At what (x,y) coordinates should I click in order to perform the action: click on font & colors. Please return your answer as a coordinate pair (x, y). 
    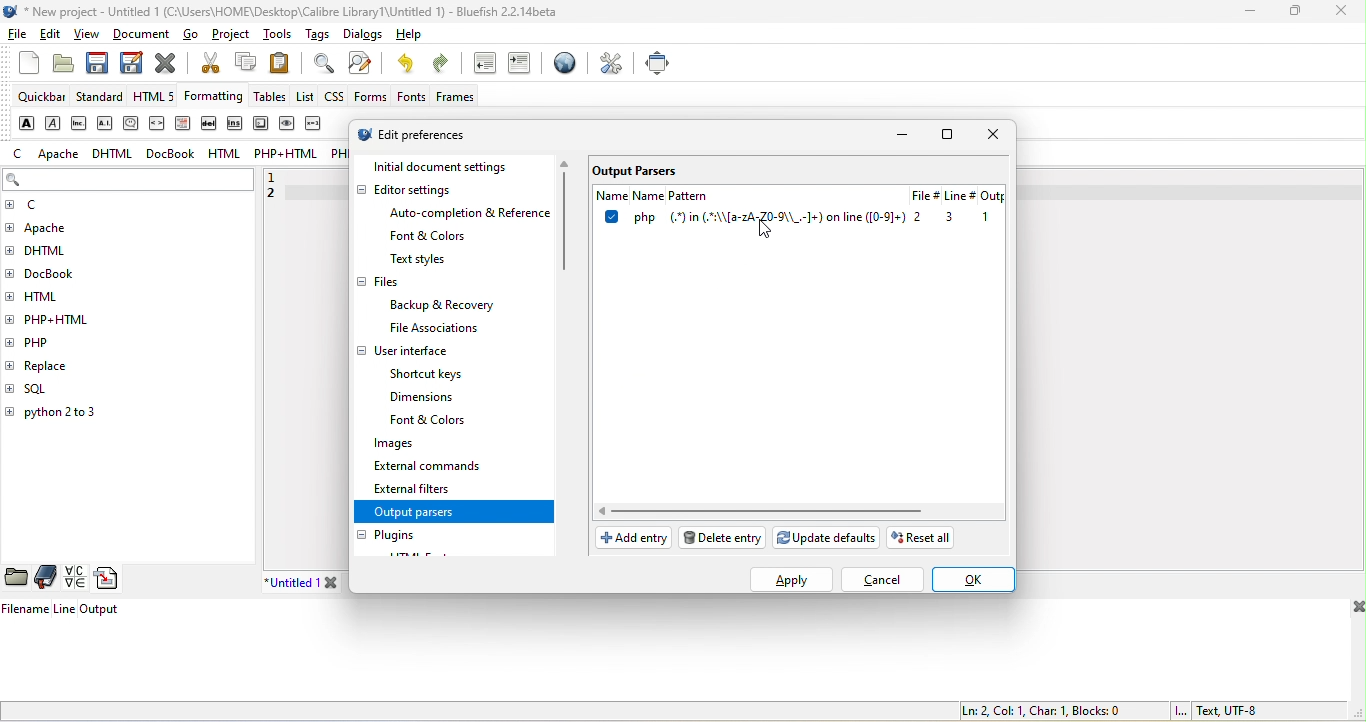
    Looking at the image, I should click on (432, 237).